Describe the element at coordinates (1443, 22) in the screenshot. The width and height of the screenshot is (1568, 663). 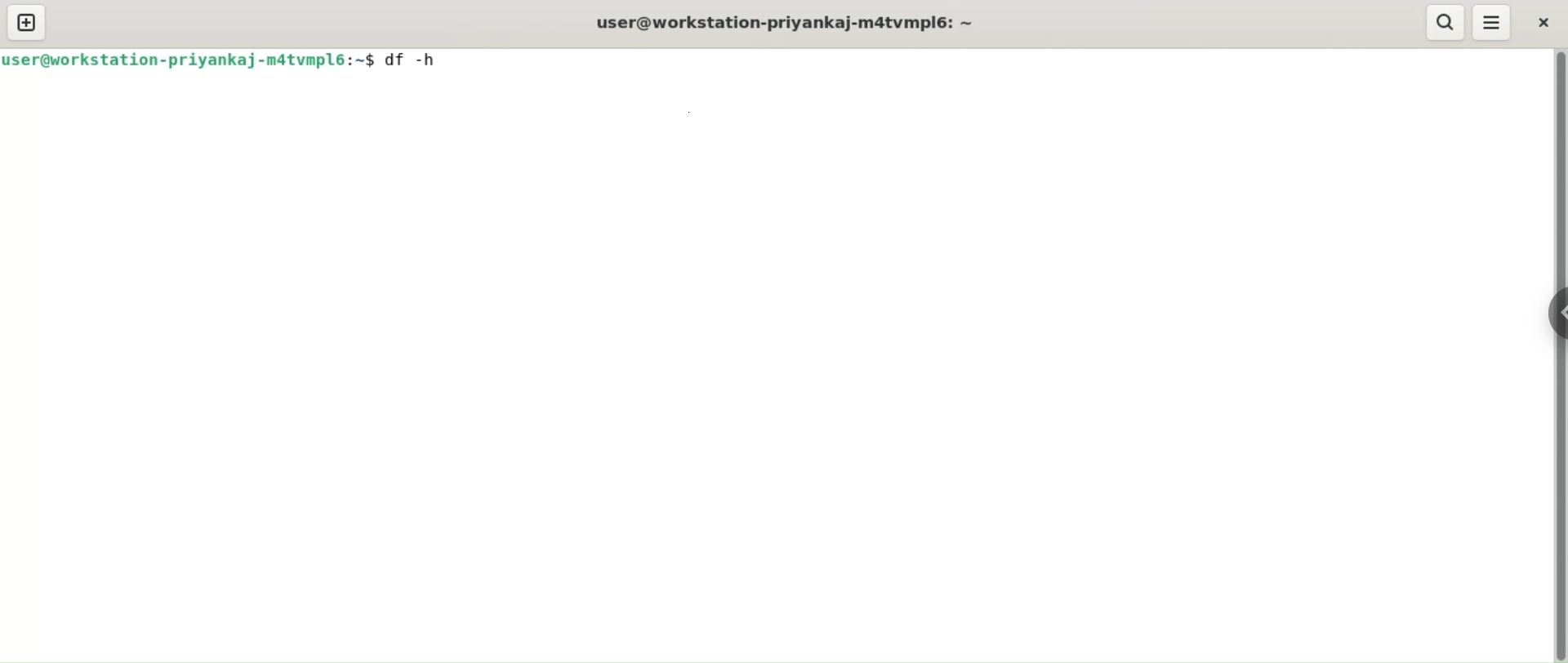
I see `search` at that location.